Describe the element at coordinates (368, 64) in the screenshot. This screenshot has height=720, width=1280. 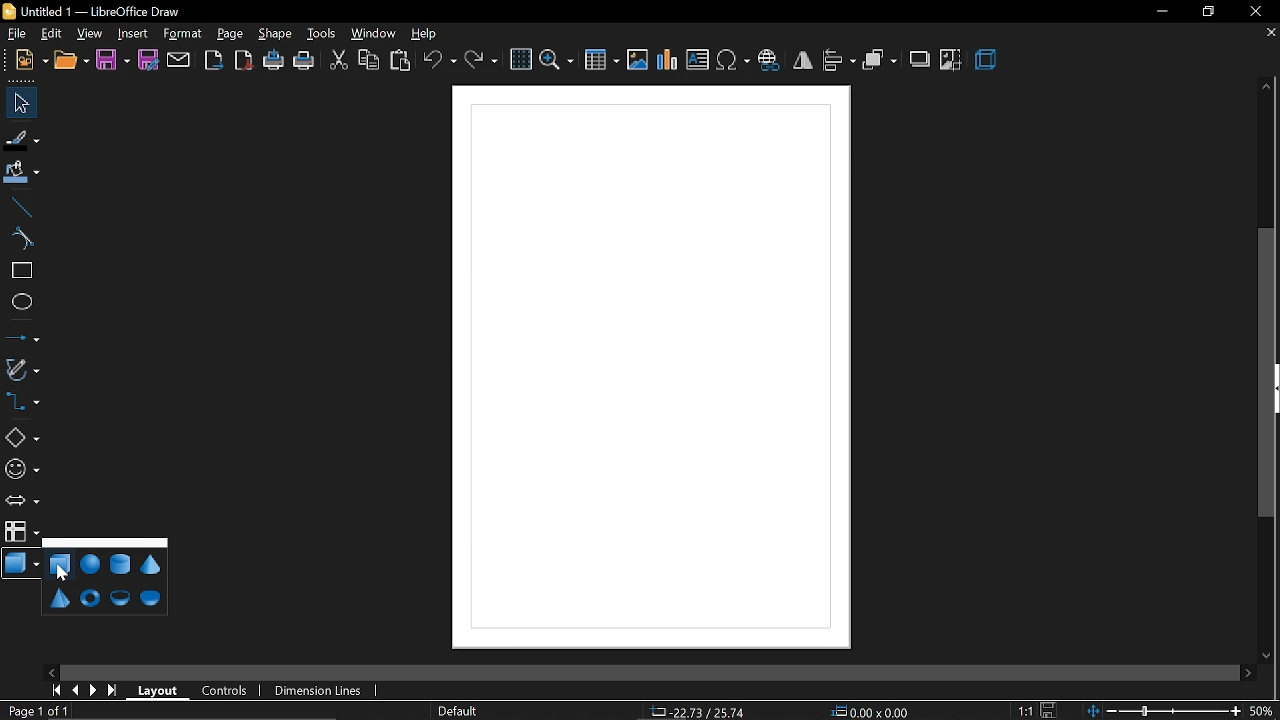
I see `copy` at that location.